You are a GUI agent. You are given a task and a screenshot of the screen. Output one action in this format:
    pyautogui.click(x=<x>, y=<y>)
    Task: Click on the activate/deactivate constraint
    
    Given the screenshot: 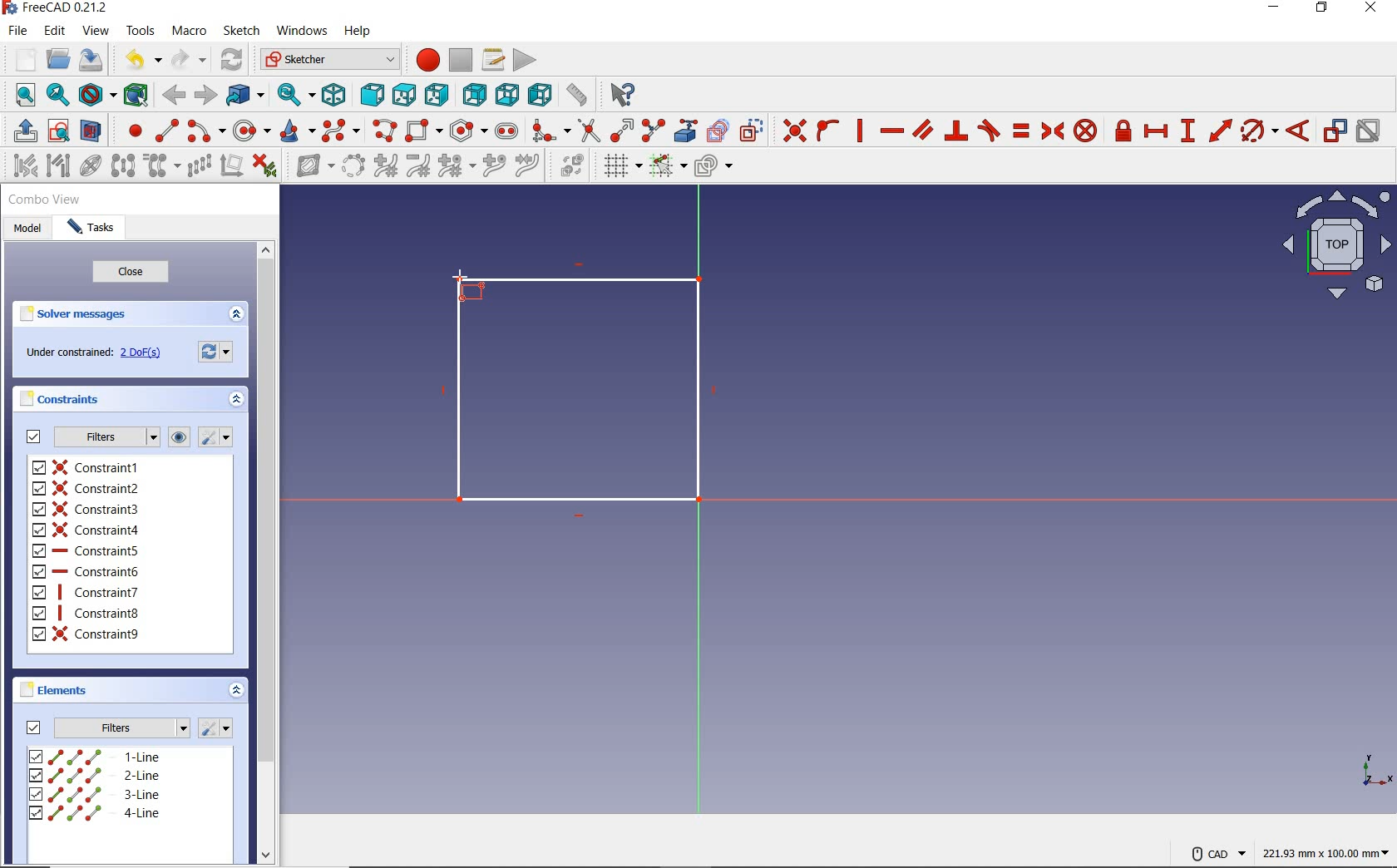 What is the action you would take?
    pyautogui.click(x=1370, y=132)
    